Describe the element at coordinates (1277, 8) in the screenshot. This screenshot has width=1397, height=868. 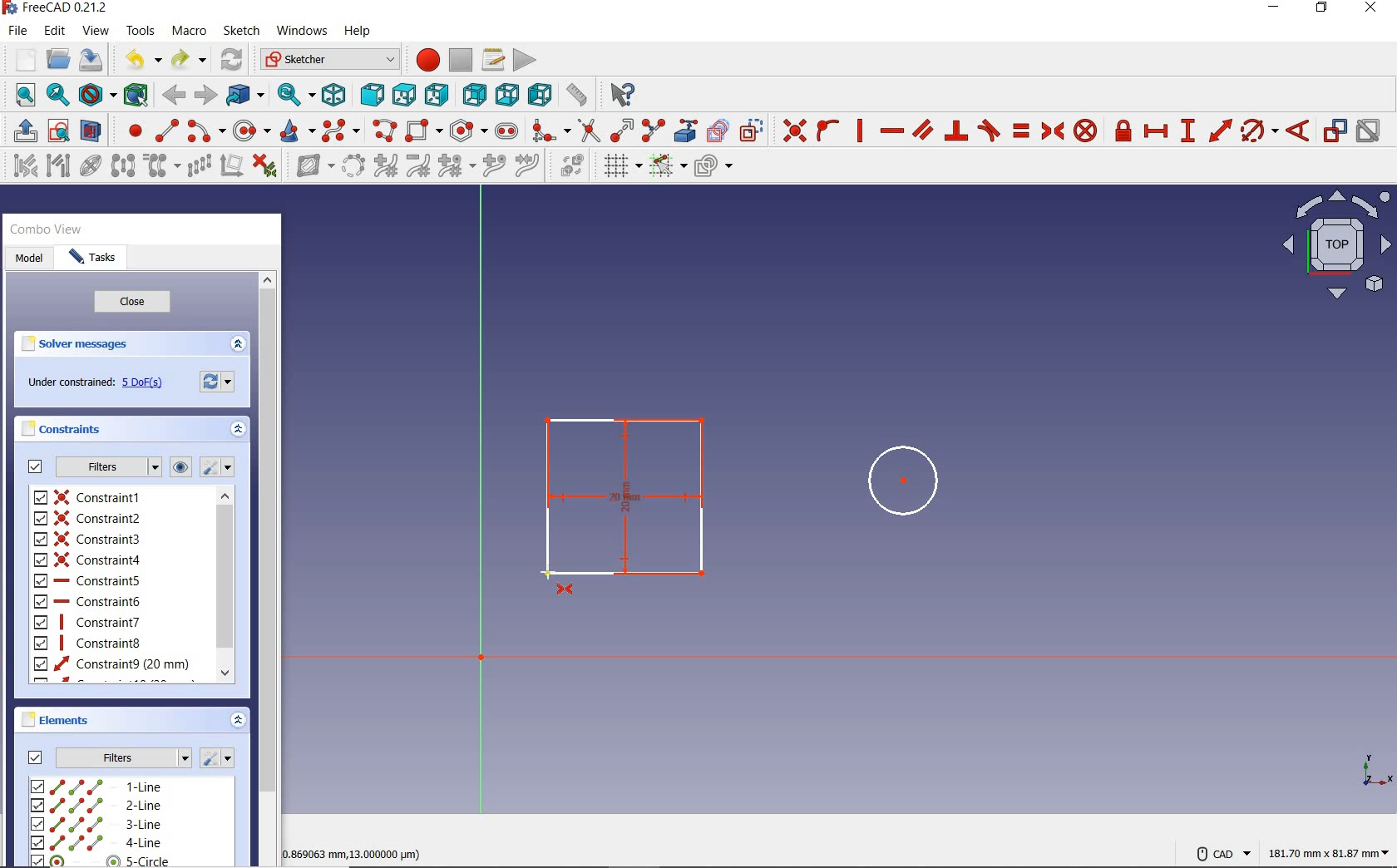
I see `minimize` at that location.